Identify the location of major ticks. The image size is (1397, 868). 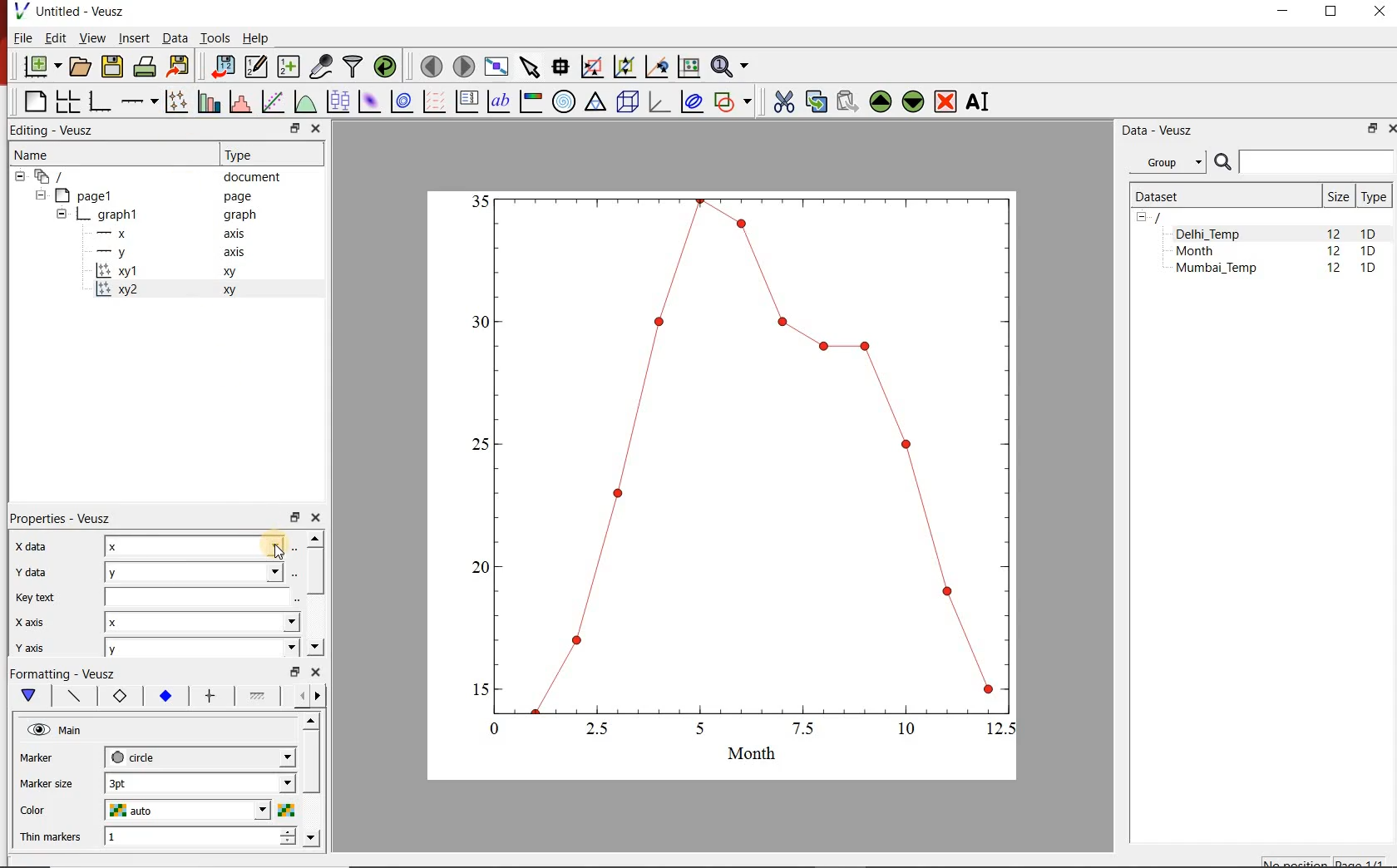
(209, 696).